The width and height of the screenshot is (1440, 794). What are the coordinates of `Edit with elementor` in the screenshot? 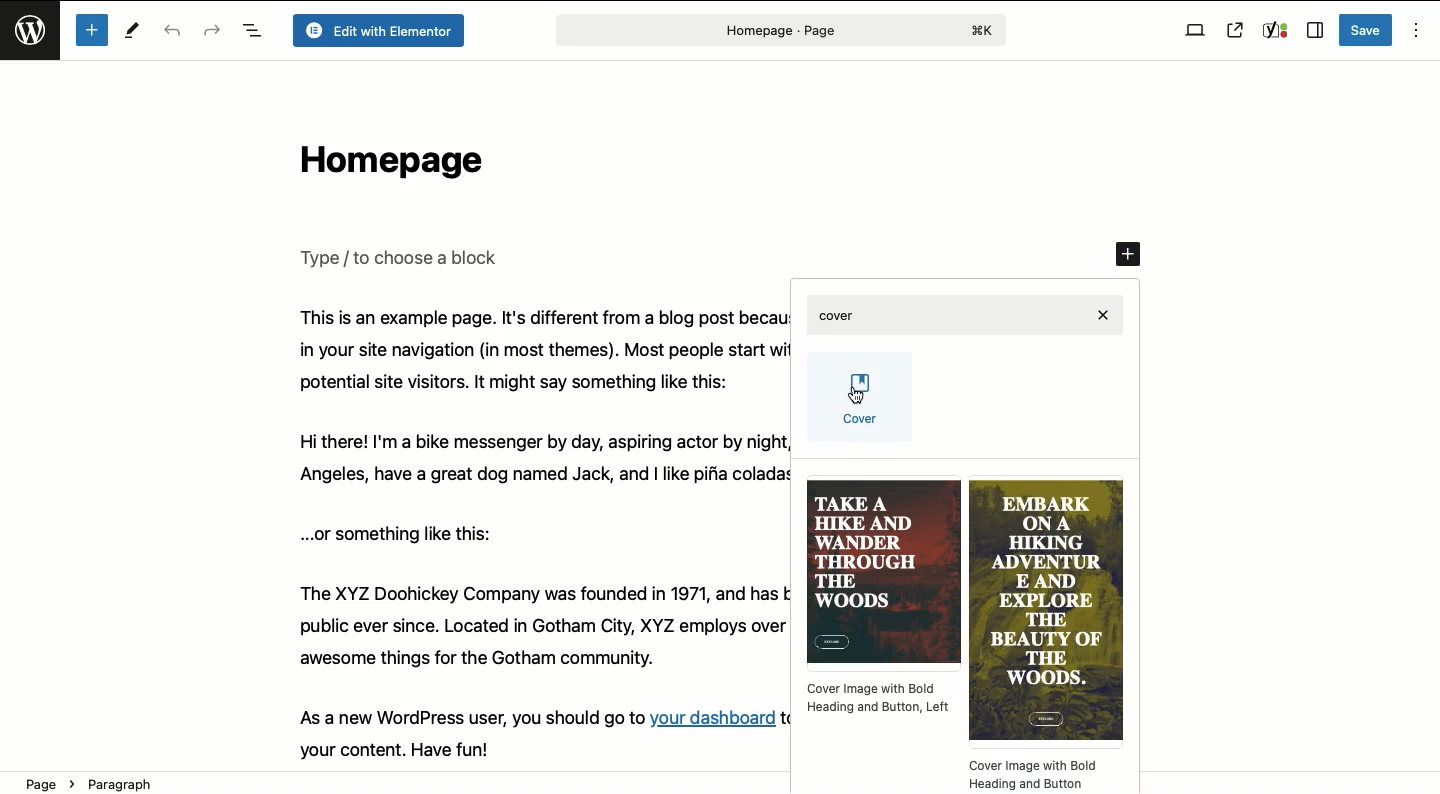 It's located at (377, 31).